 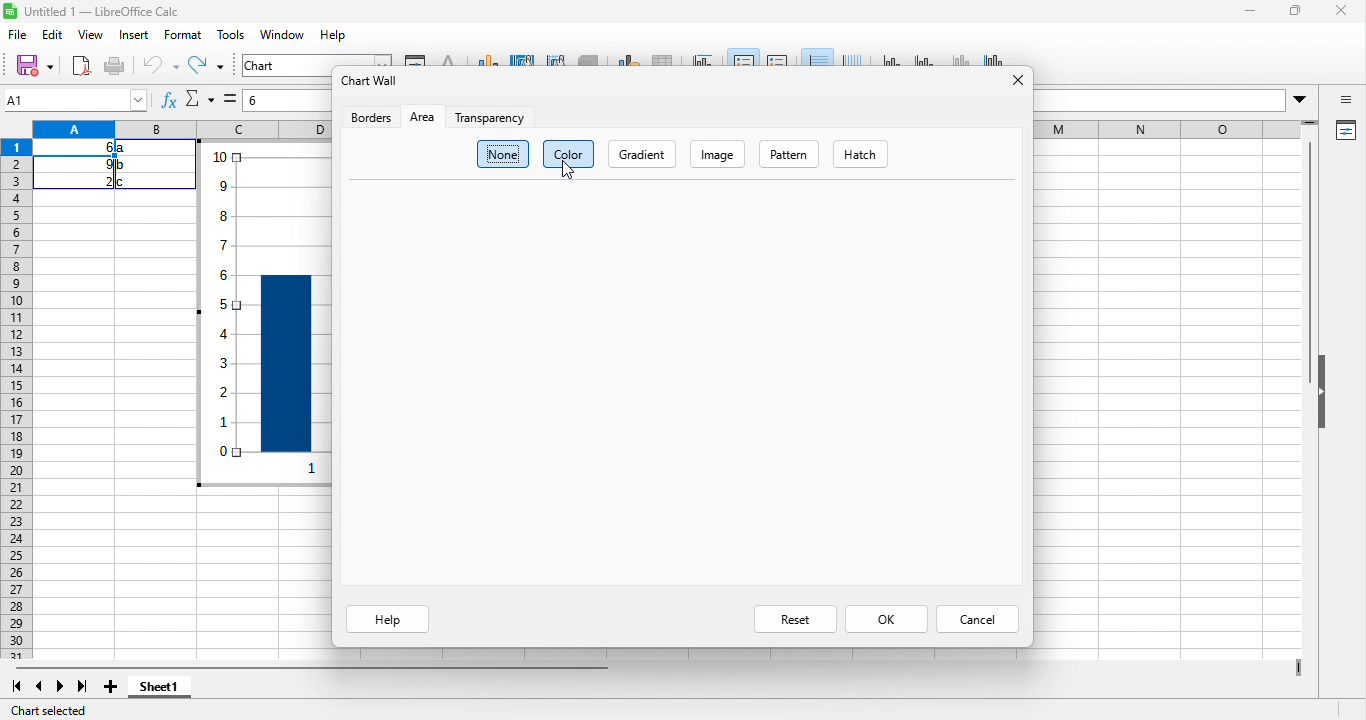 What do you see at coordinates (36, 68) in the screenshot?
I see `save` at bounding box center [36, 68].